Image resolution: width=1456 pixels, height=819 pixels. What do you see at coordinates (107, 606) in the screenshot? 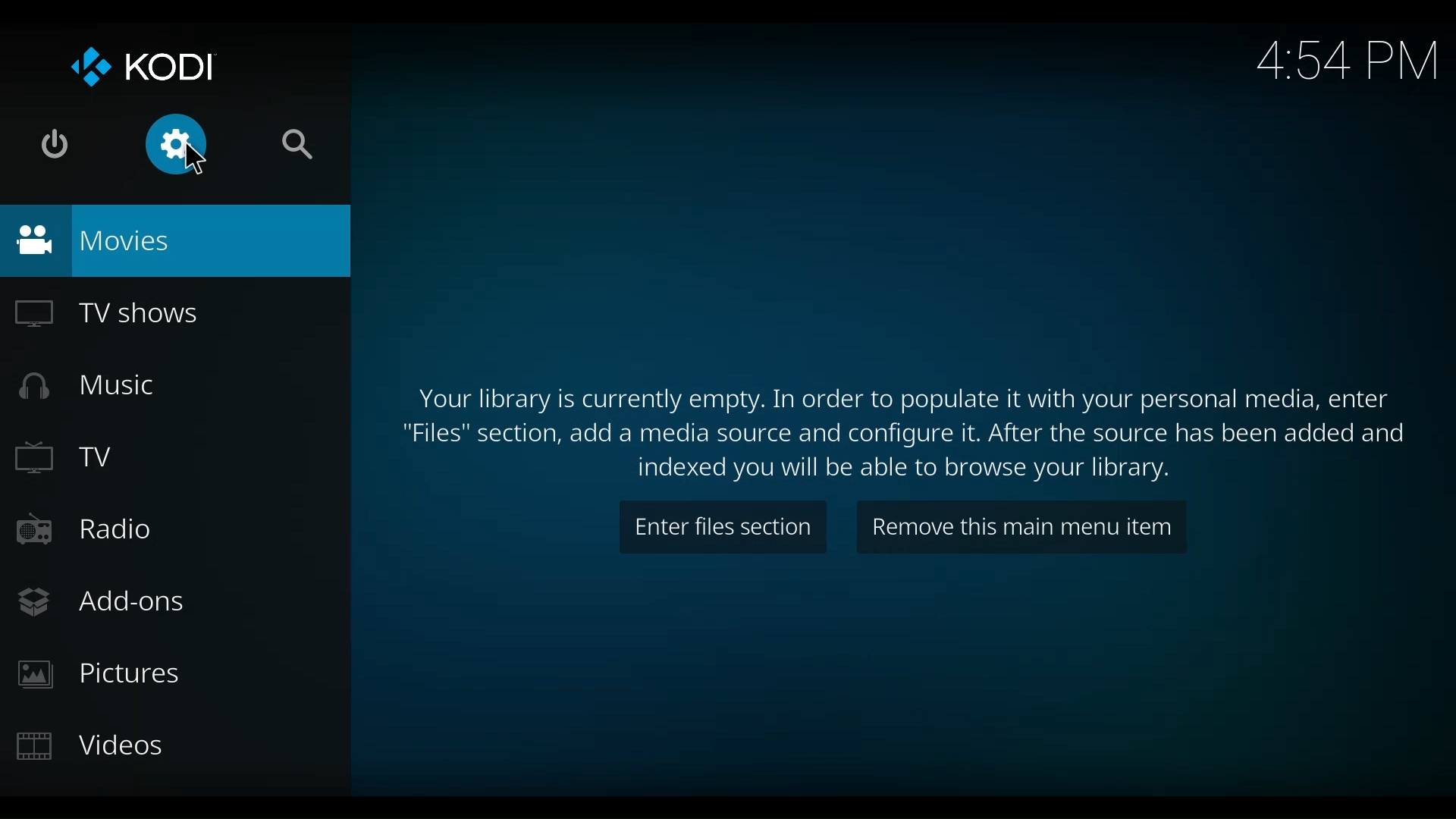
I see `Add-ons` at bounding box center [107, 606].